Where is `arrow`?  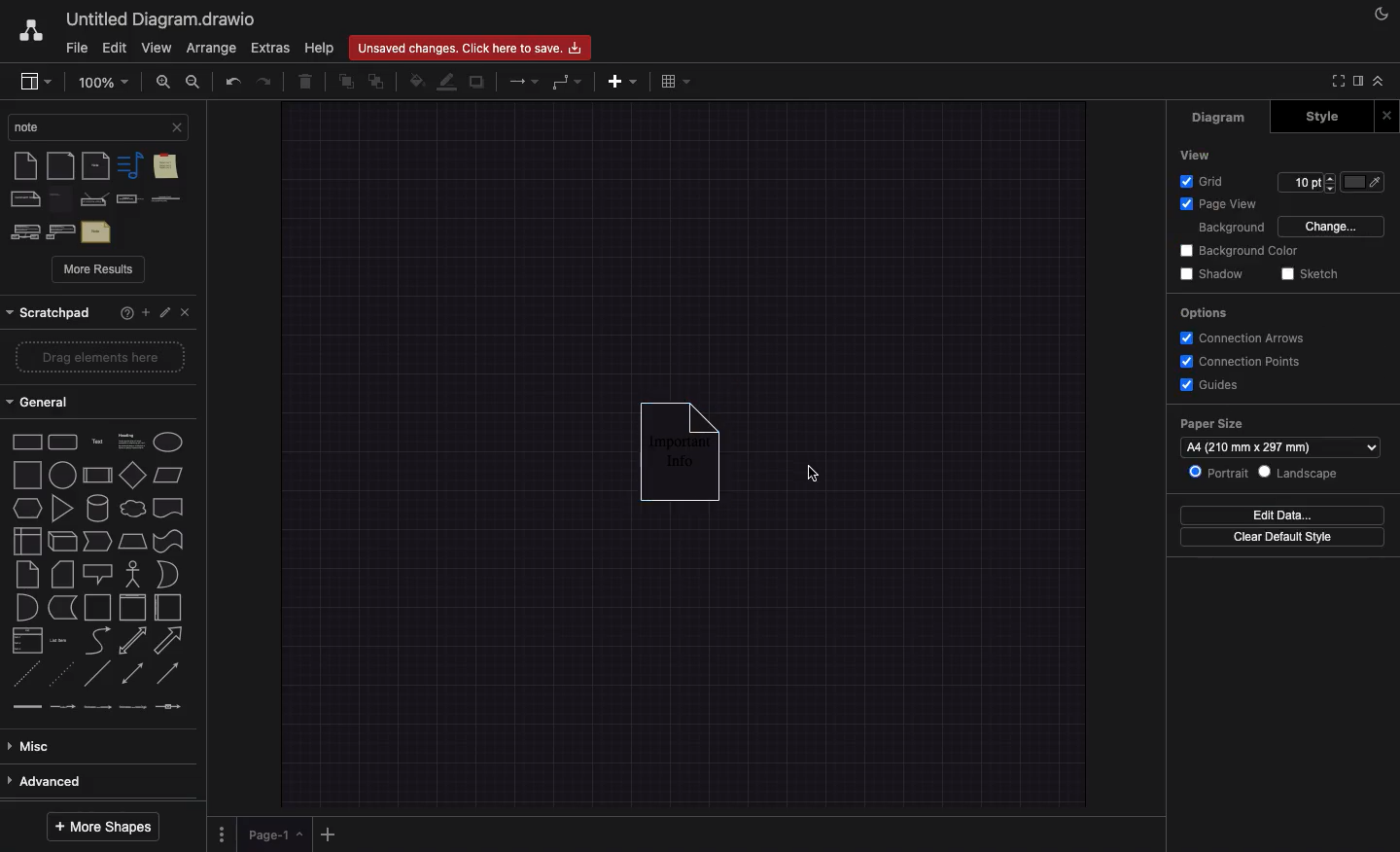
arrow is located at coordinates (169, 640).